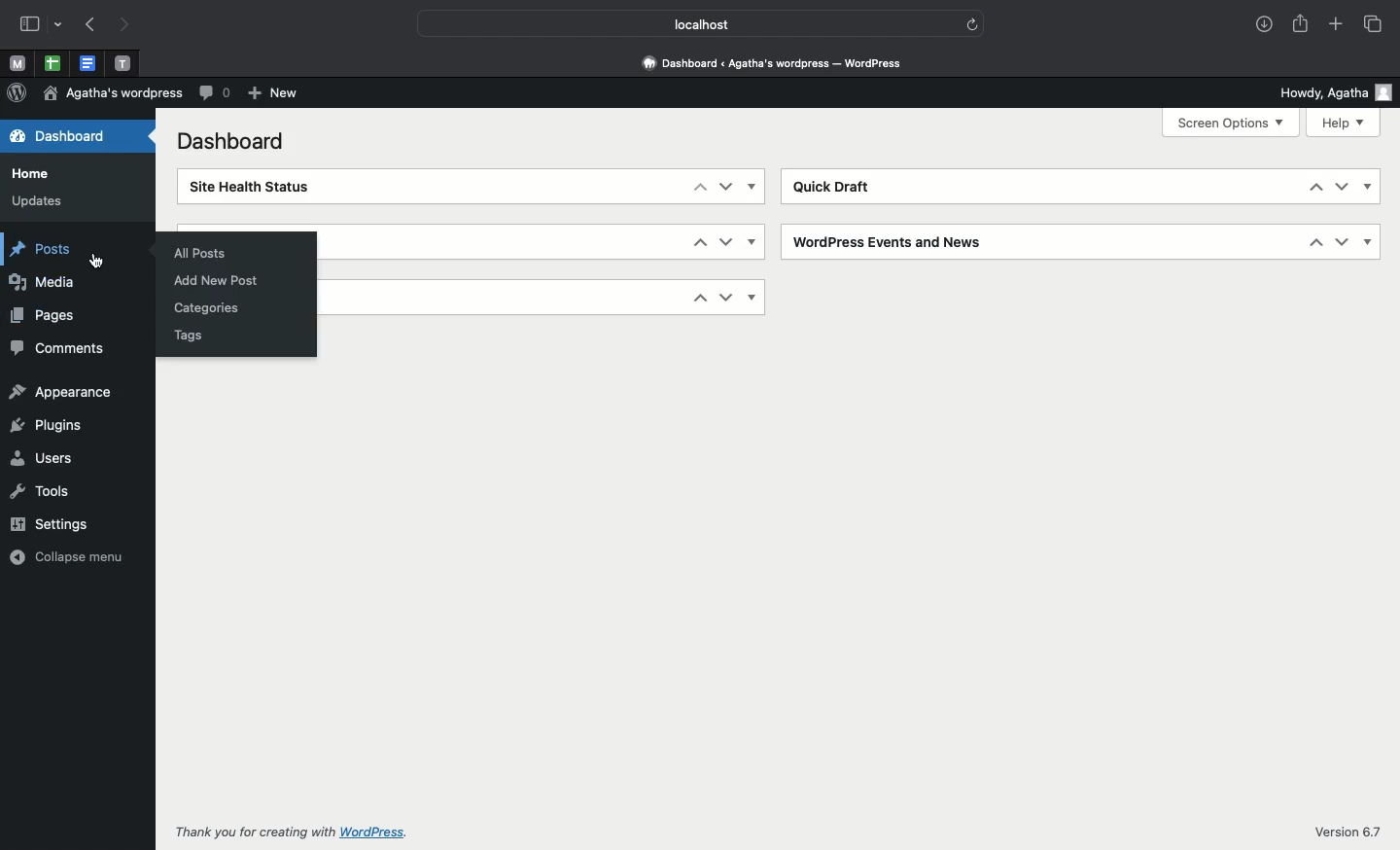 This screenshot has width=1400, height=850. What do you see at coordinates (17, 93) in the screenshot?
I see `Wordpress` at bounding box center [17, 93].